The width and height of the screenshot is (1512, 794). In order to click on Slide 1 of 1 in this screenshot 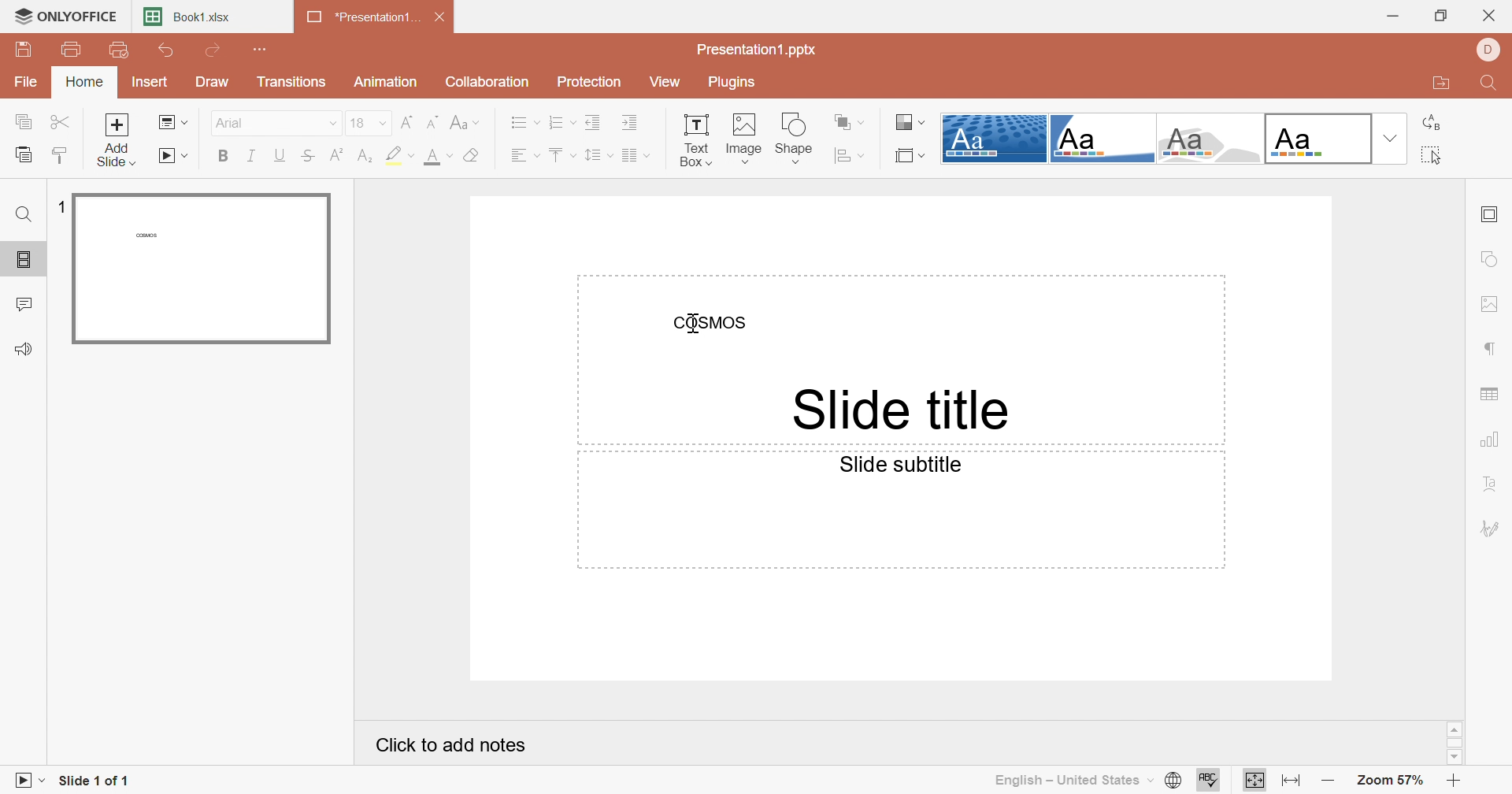, I will do `click(100, 780)`.